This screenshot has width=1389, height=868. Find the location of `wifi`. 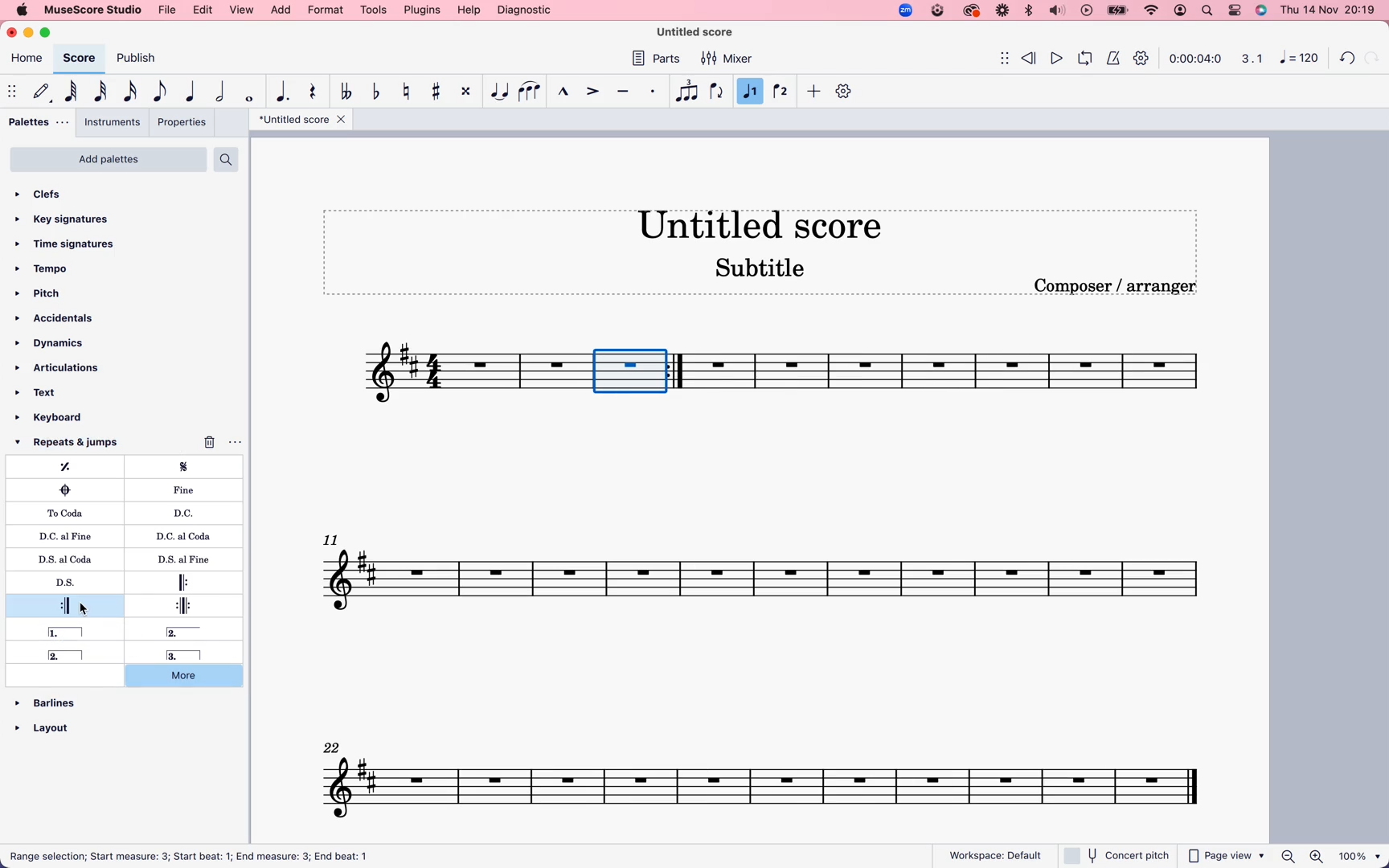

wifi is located at coordinates (1153, 10).